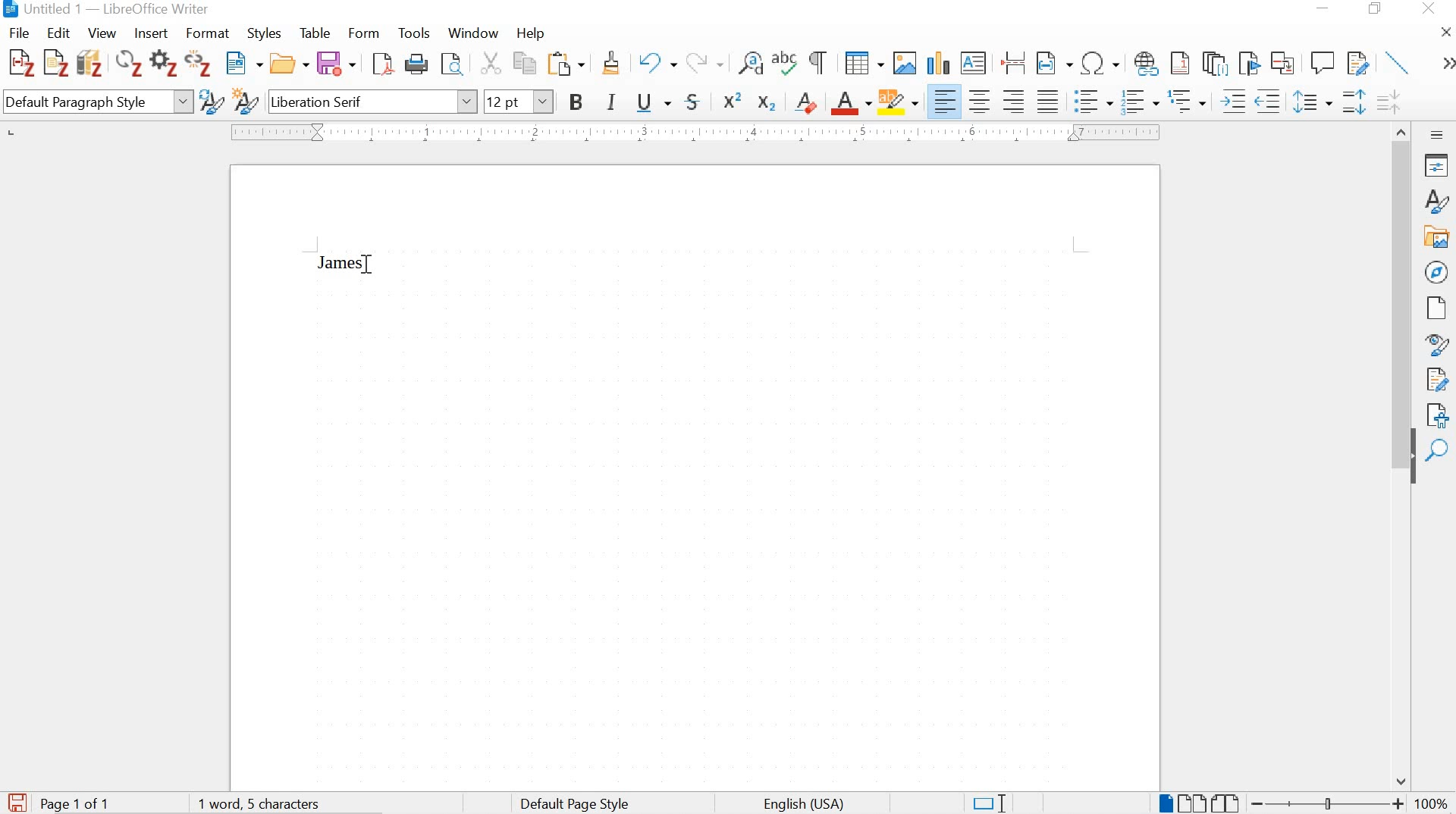  I want to click on Increase indent, so click(1232, 101).